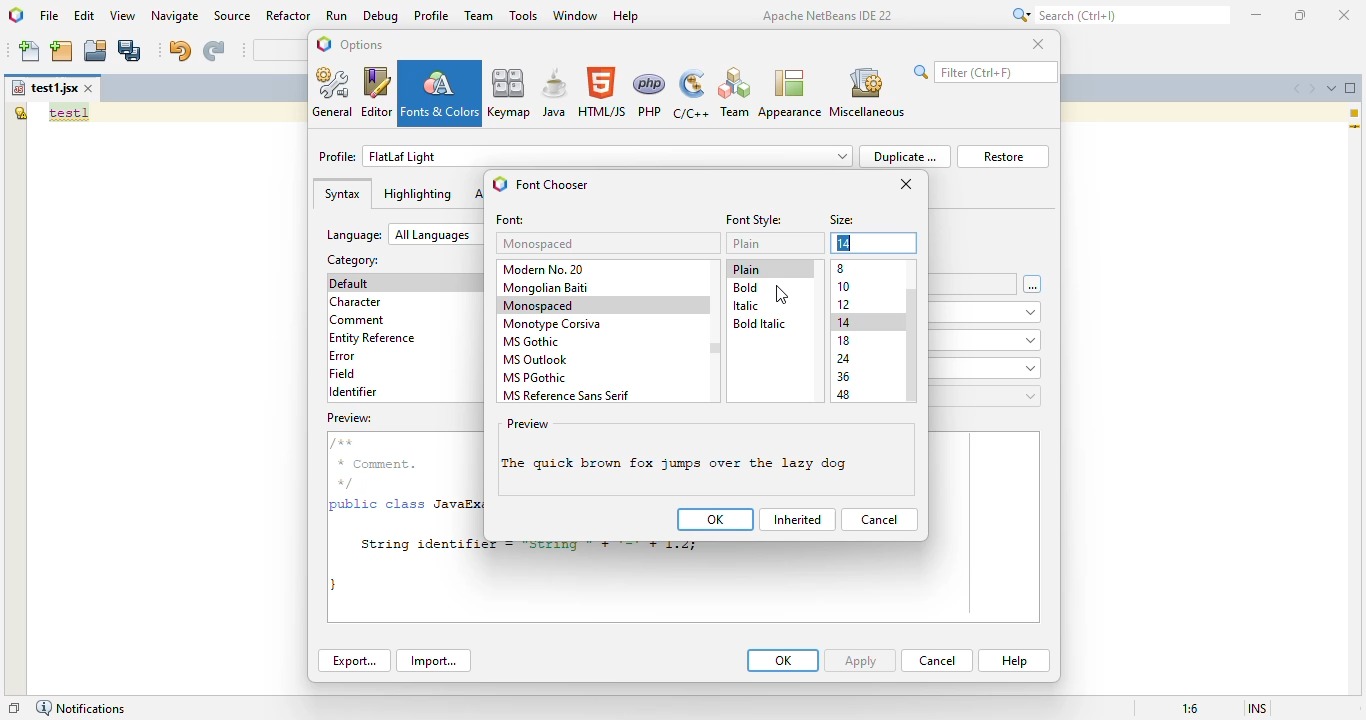 This screenshot has width=1366, height=720. What do you see at coordinates (379, 507) in the screenshot?
I see `public class` at bounding box center [379, 507].